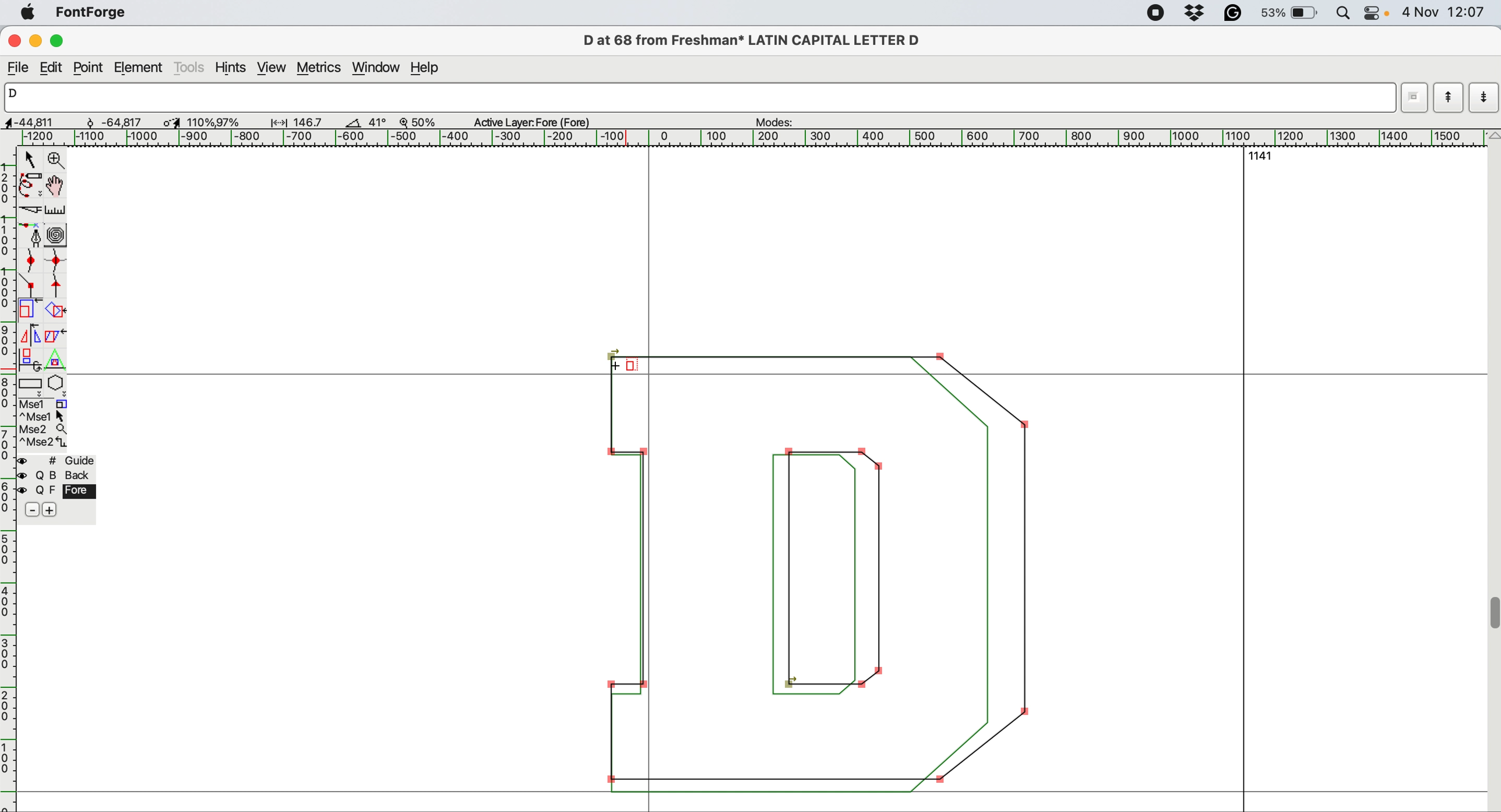 This screenshot has width=1501, height=812. I want to click on rotate selection in 3d, so click(28, 359).